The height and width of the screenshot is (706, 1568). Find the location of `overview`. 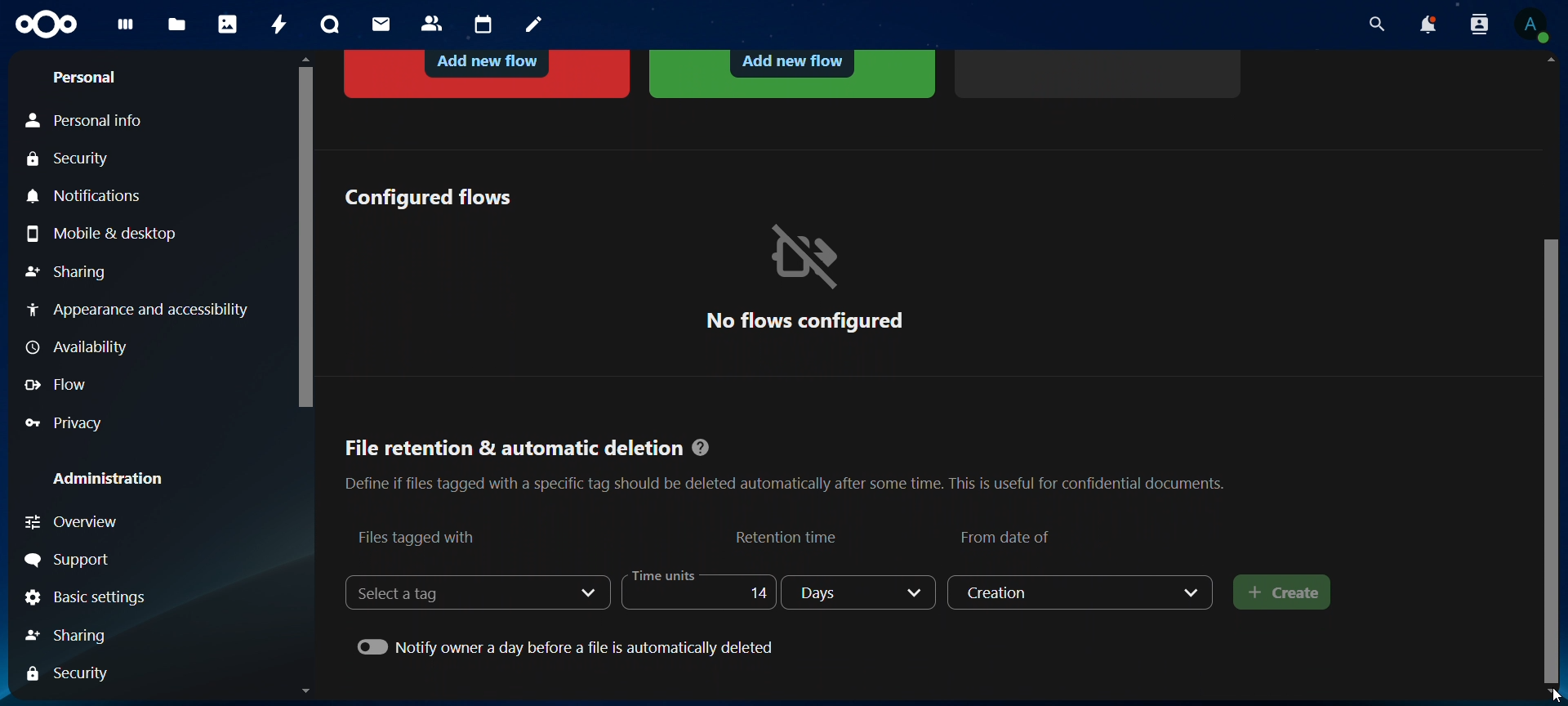

overview is located at coordinates (104, 522).